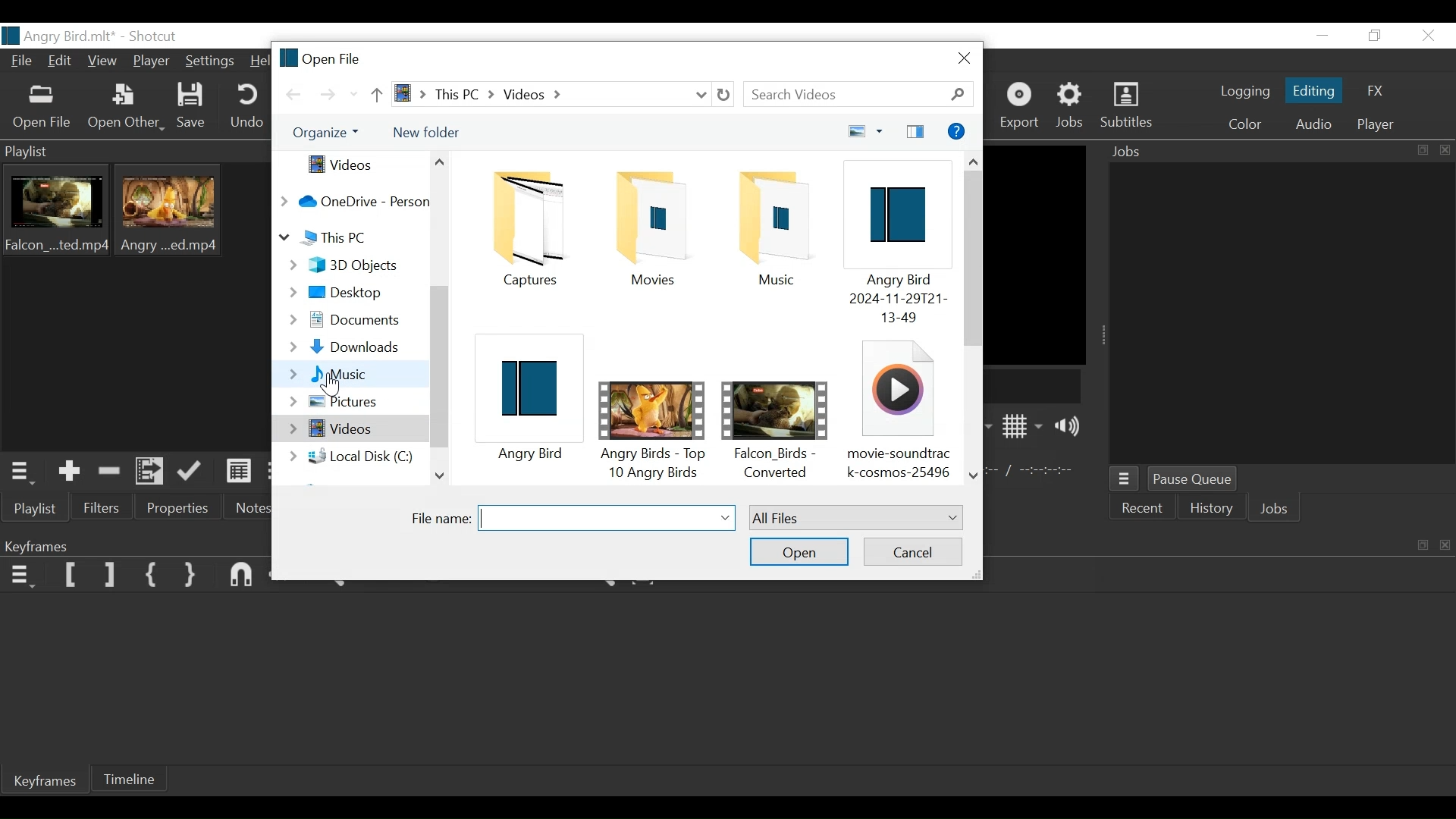 The width and height of the screenshot is (1456, 819). I want to click on Downloads, so click(348, 347).